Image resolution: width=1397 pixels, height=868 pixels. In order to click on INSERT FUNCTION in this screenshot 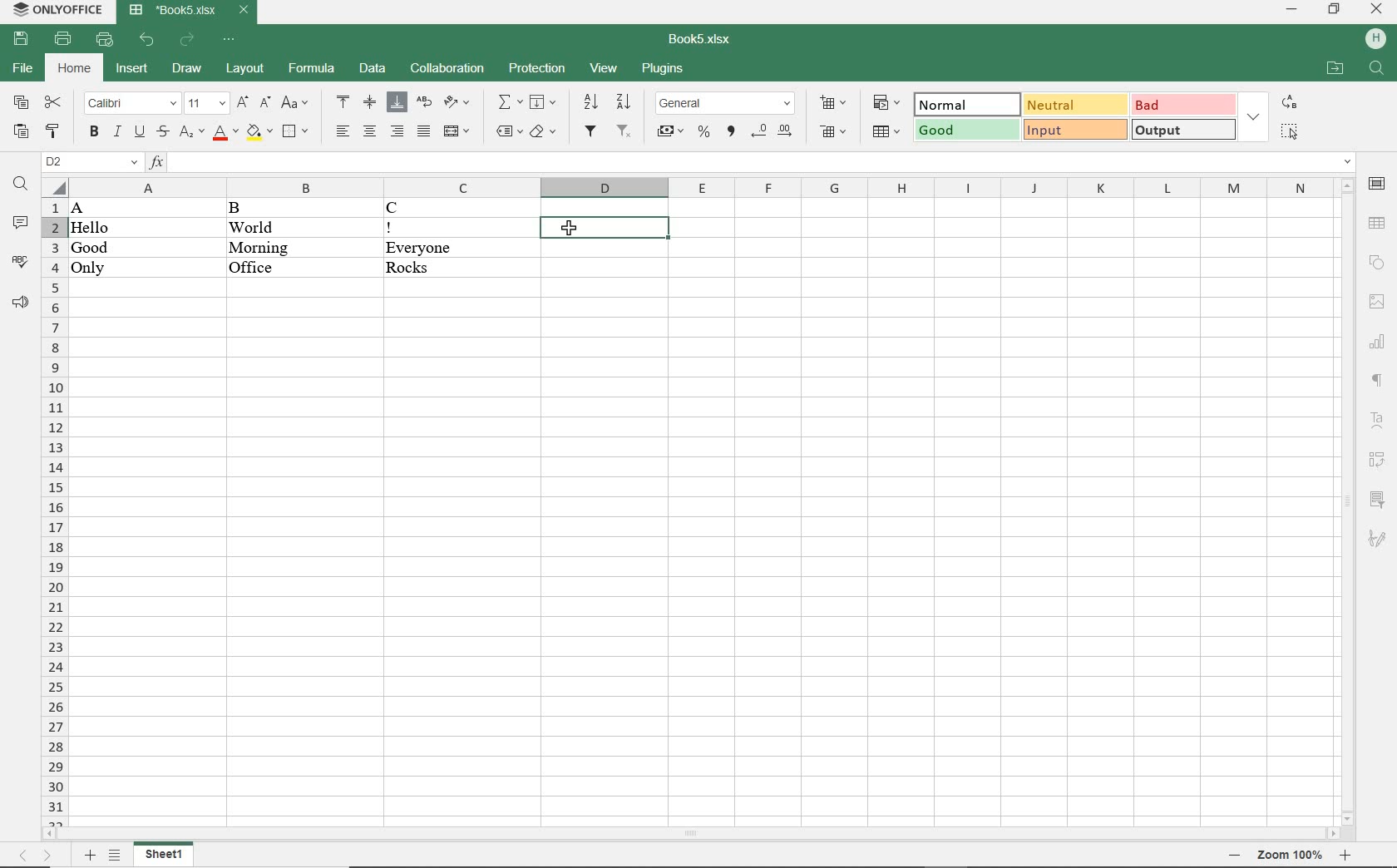, I will do `click(508, 104)`.